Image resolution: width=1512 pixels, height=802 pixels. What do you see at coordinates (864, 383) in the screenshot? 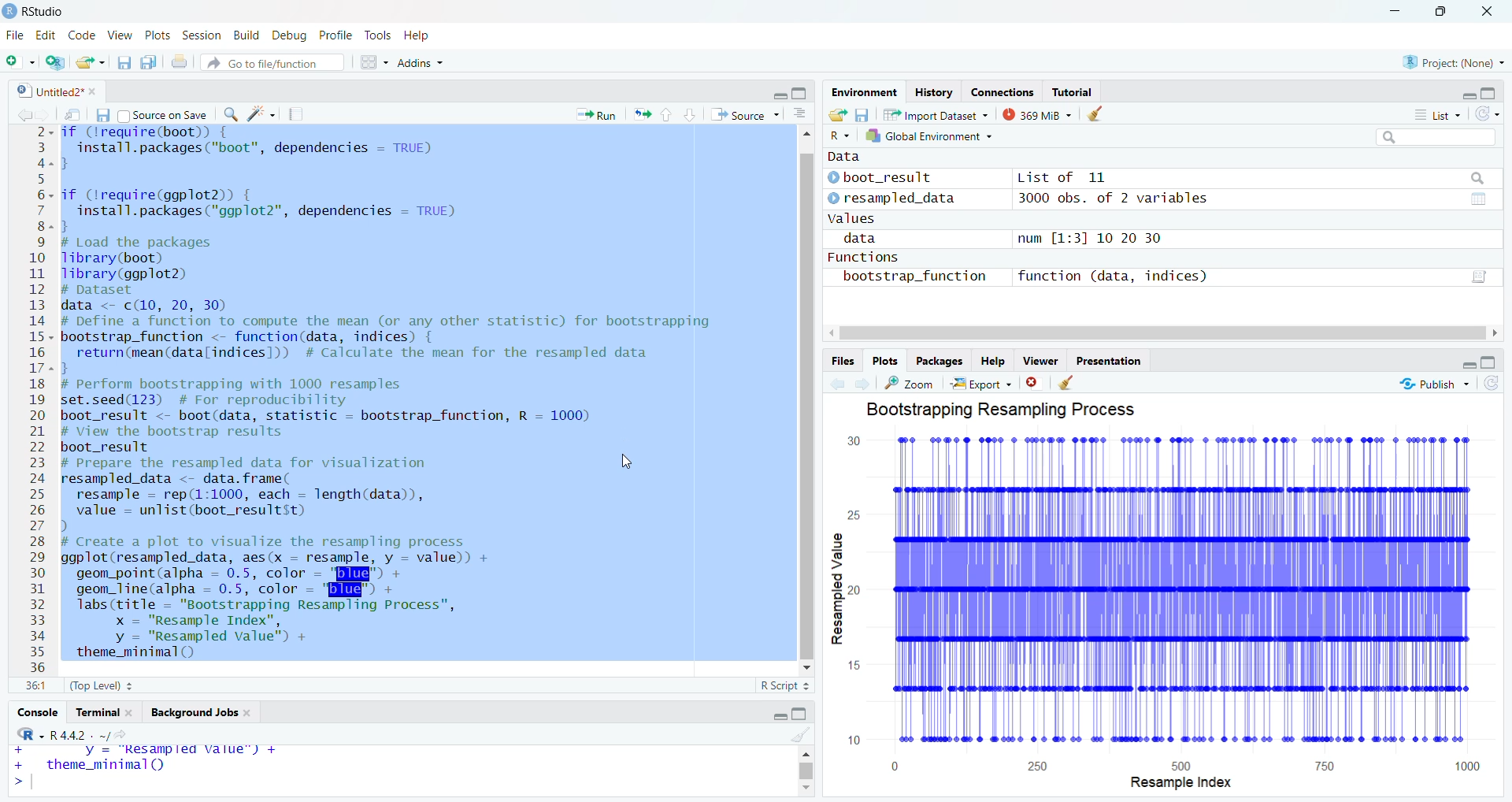
I see `go forward` at bounding box center [864, 383].